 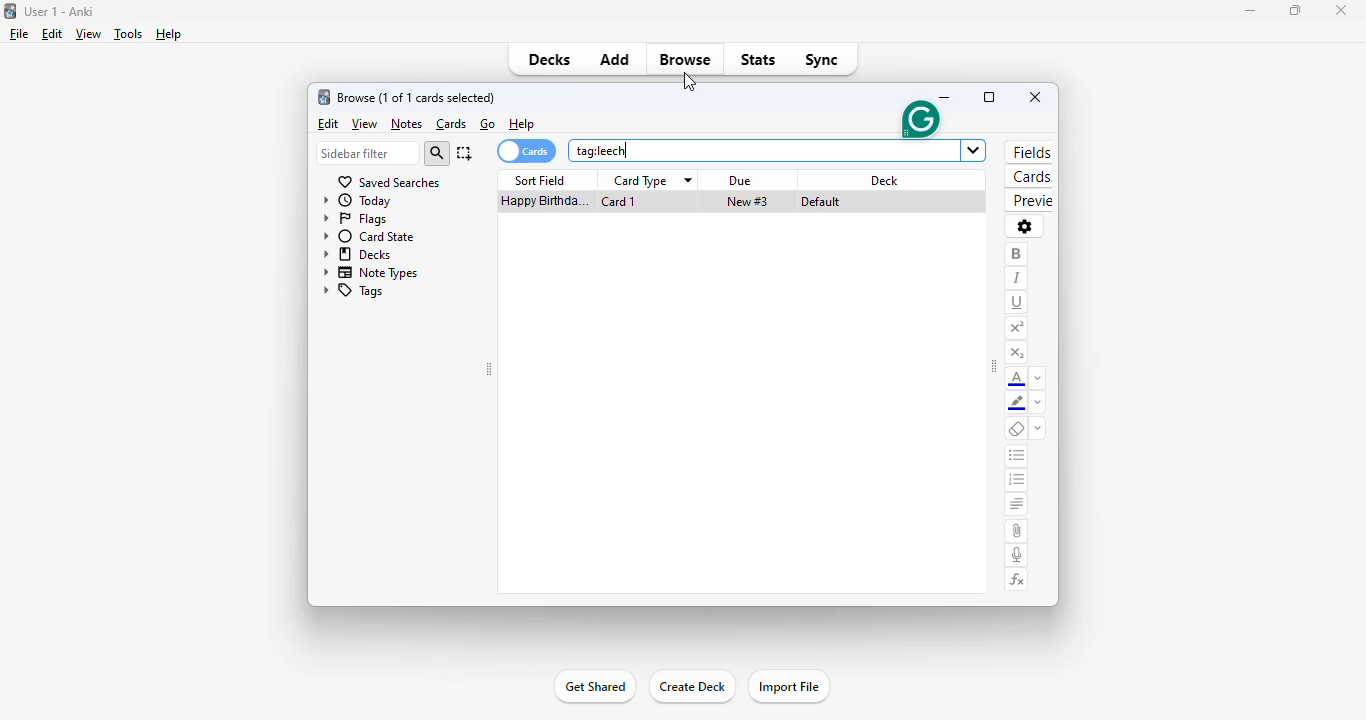 I want to click on unordered list, so click(x=1017, y=456).